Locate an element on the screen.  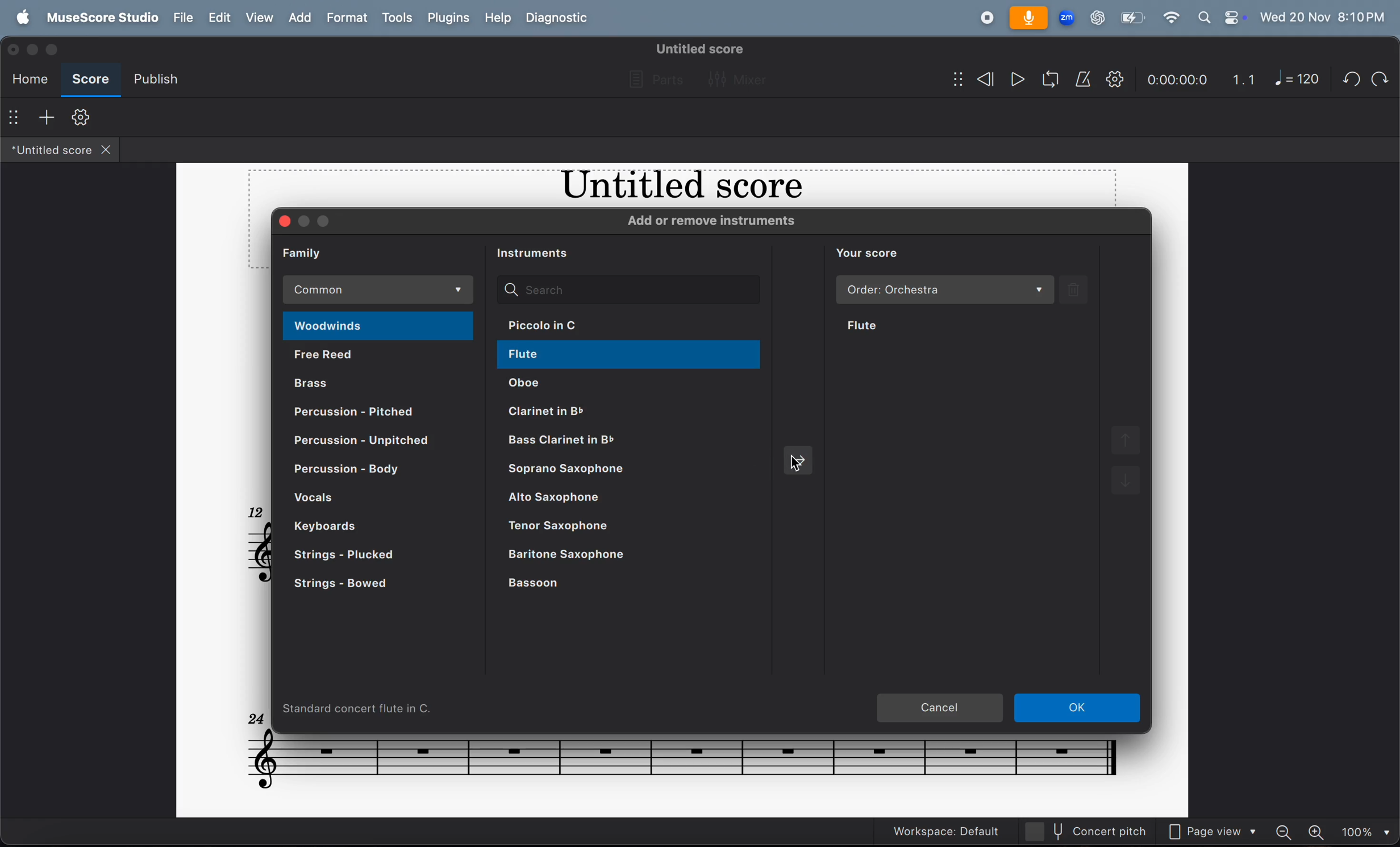
standard concert flute in c. is located at coordinates (375, 708).